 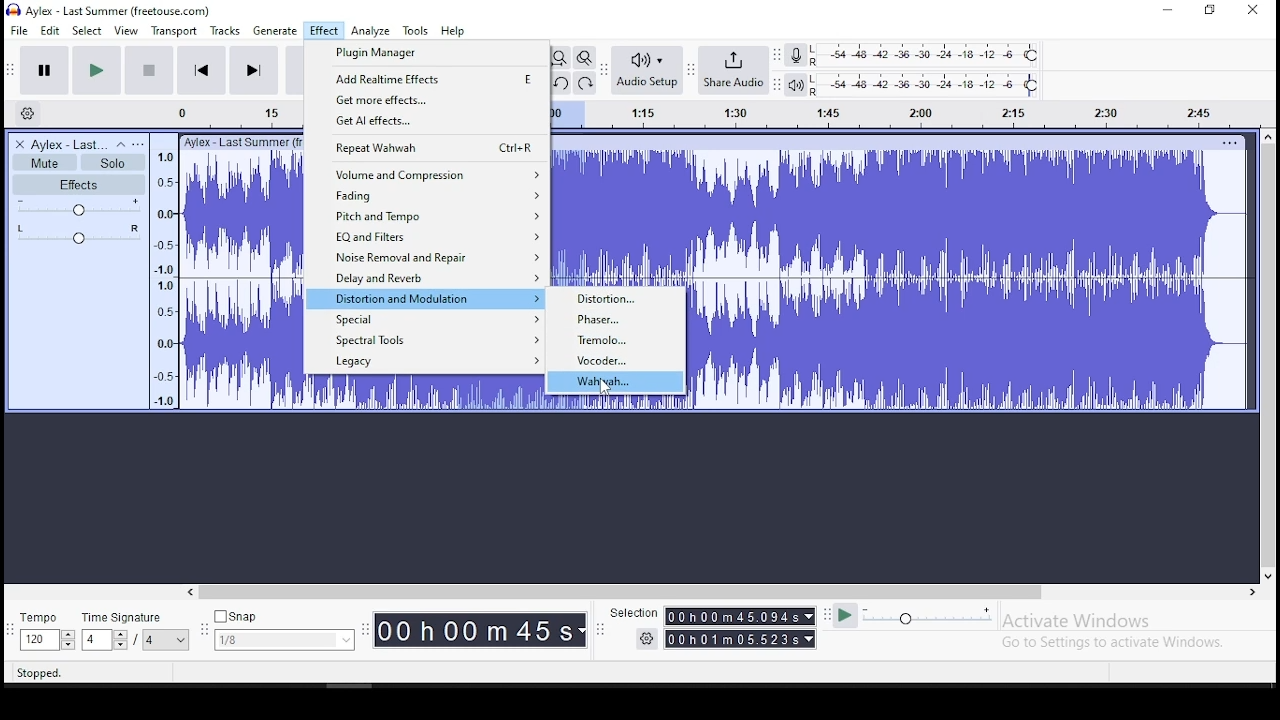 What do you see at coordinates (20, 30) in the screenshot?
I see `file` at bounding box center [20, 30].